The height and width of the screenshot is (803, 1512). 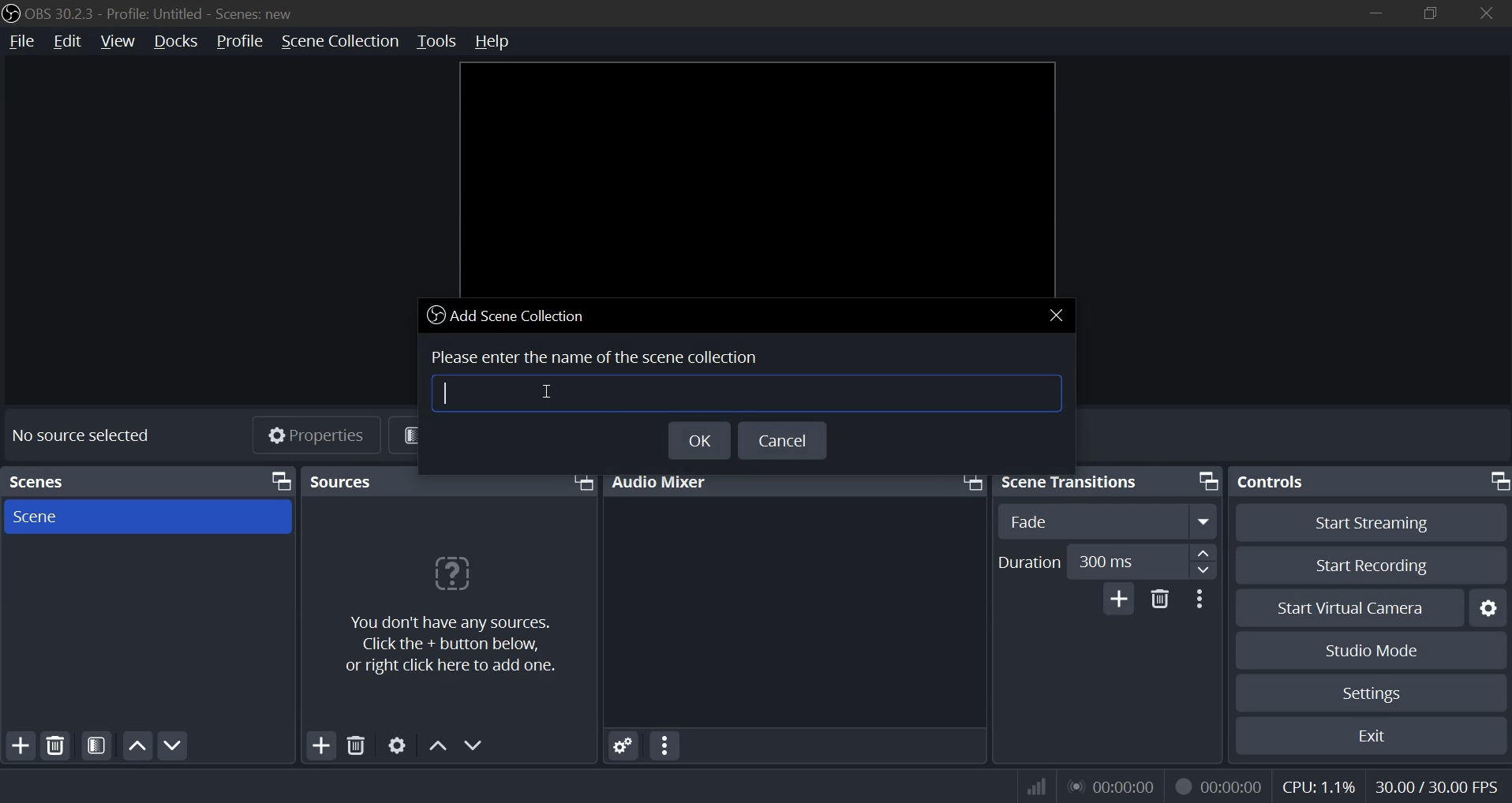 I want to click on fade, so click(x=1030, y=521).